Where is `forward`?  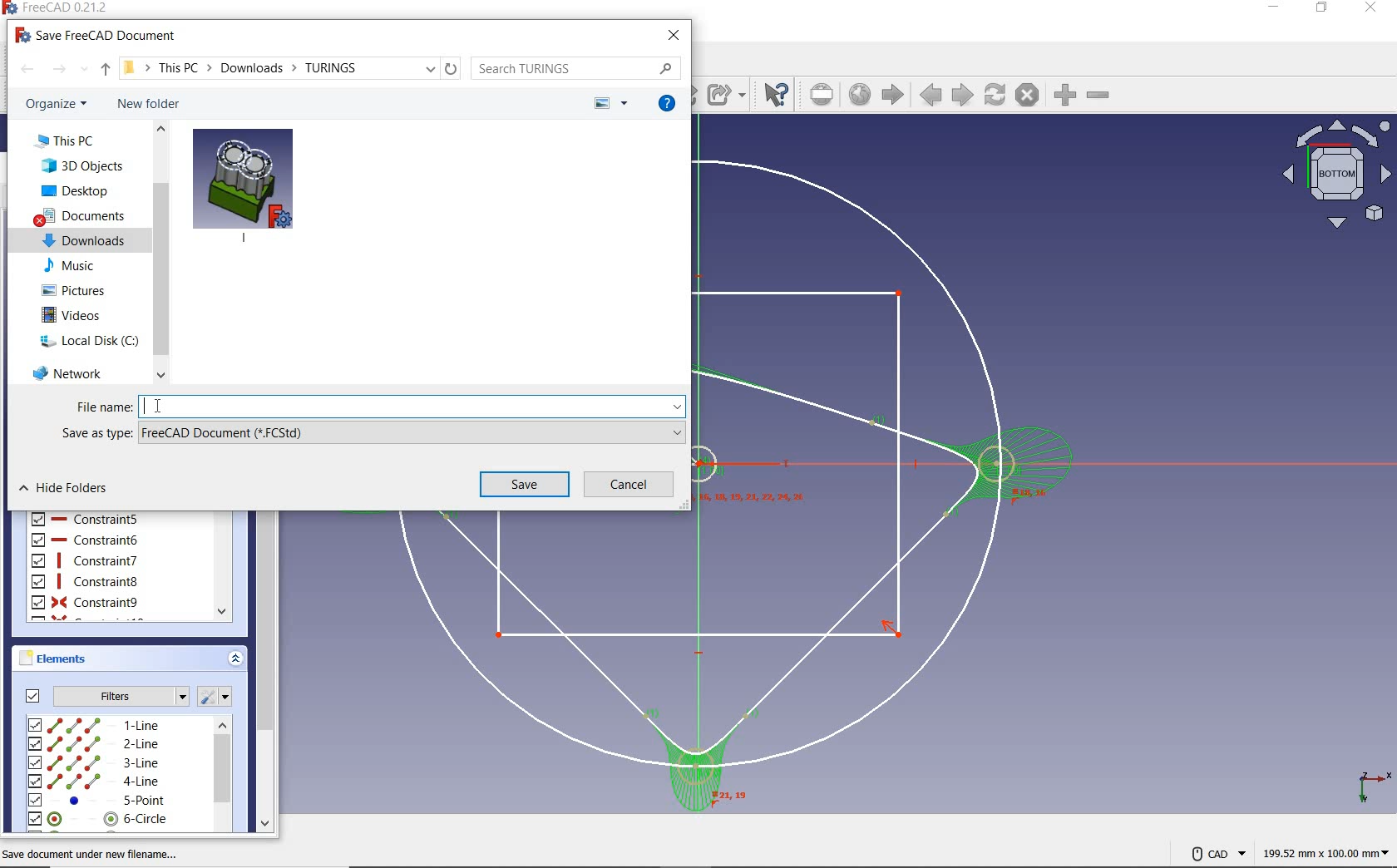
forward is located at coordinates (59, 70).